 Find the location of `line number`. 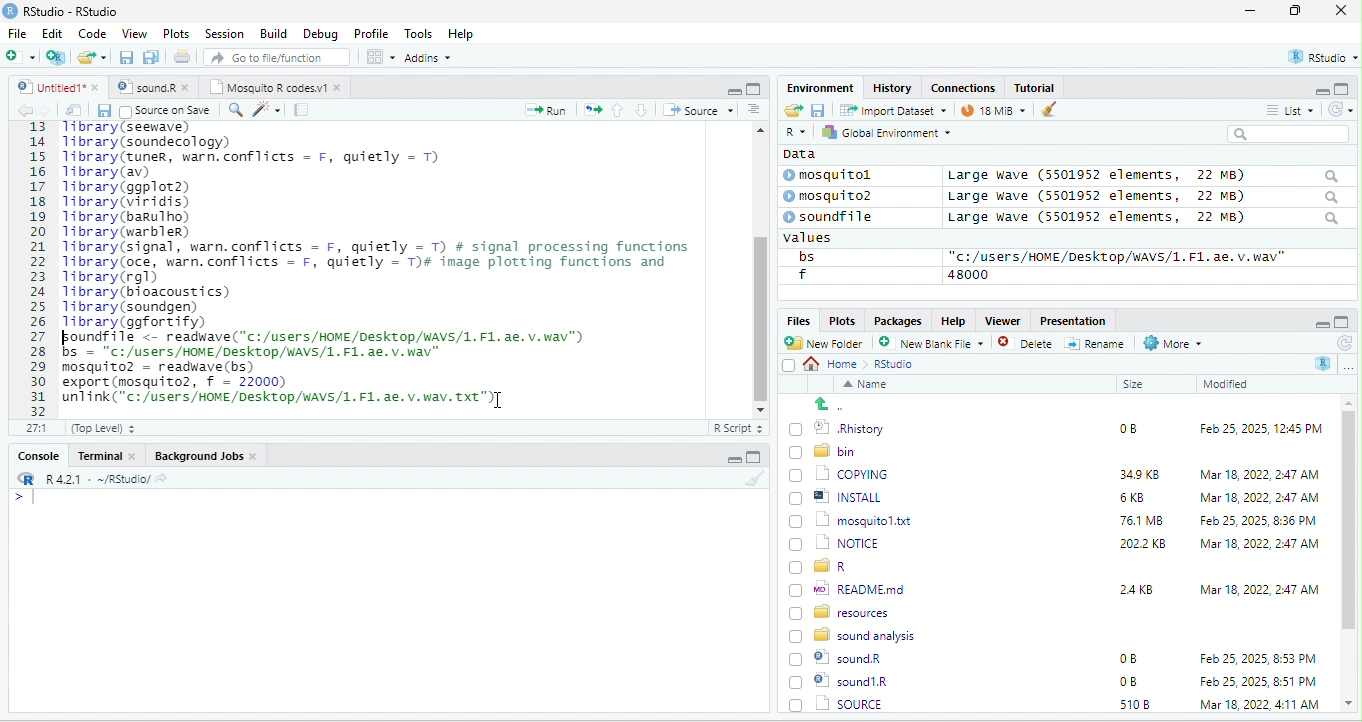

line number is located at coordinates (40, 268).